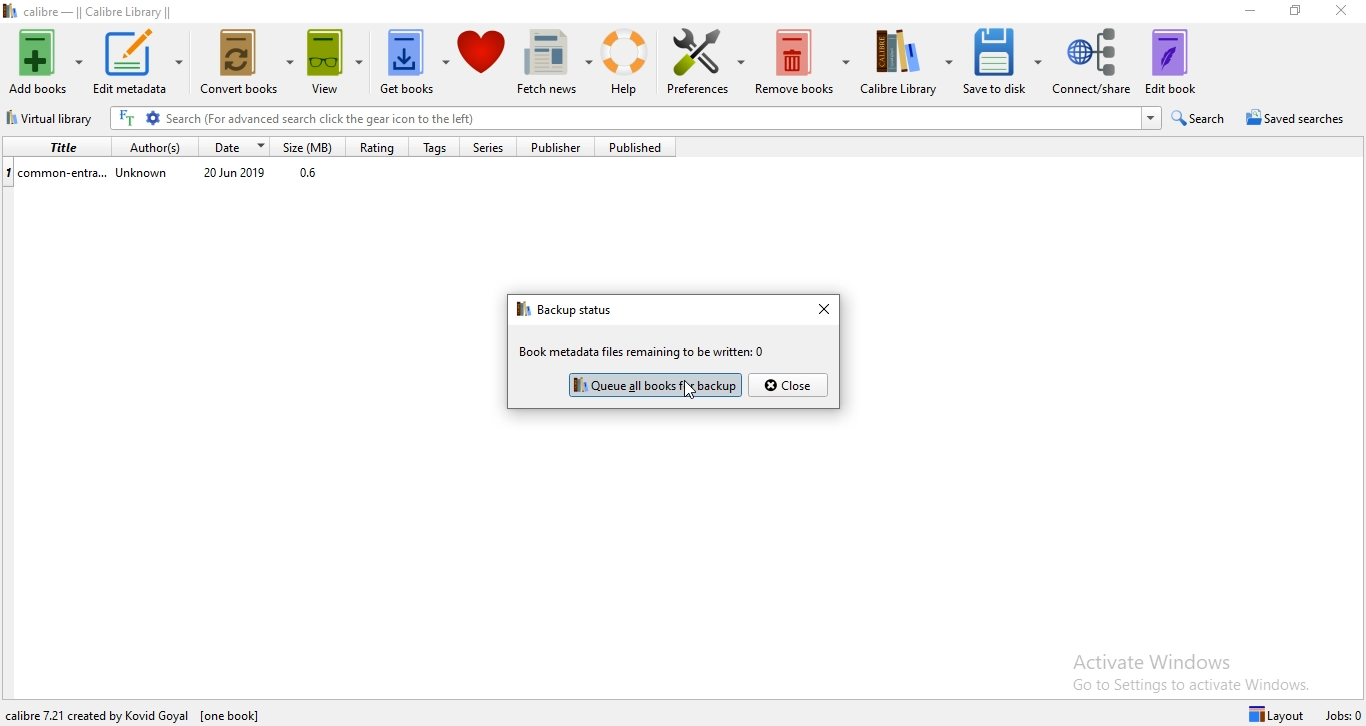 This screenshot has width=1366, height=726. Describe the element at coordinates (112, 11) in the screenshot. I see `calibre - || Calibre Library ||` at that location.